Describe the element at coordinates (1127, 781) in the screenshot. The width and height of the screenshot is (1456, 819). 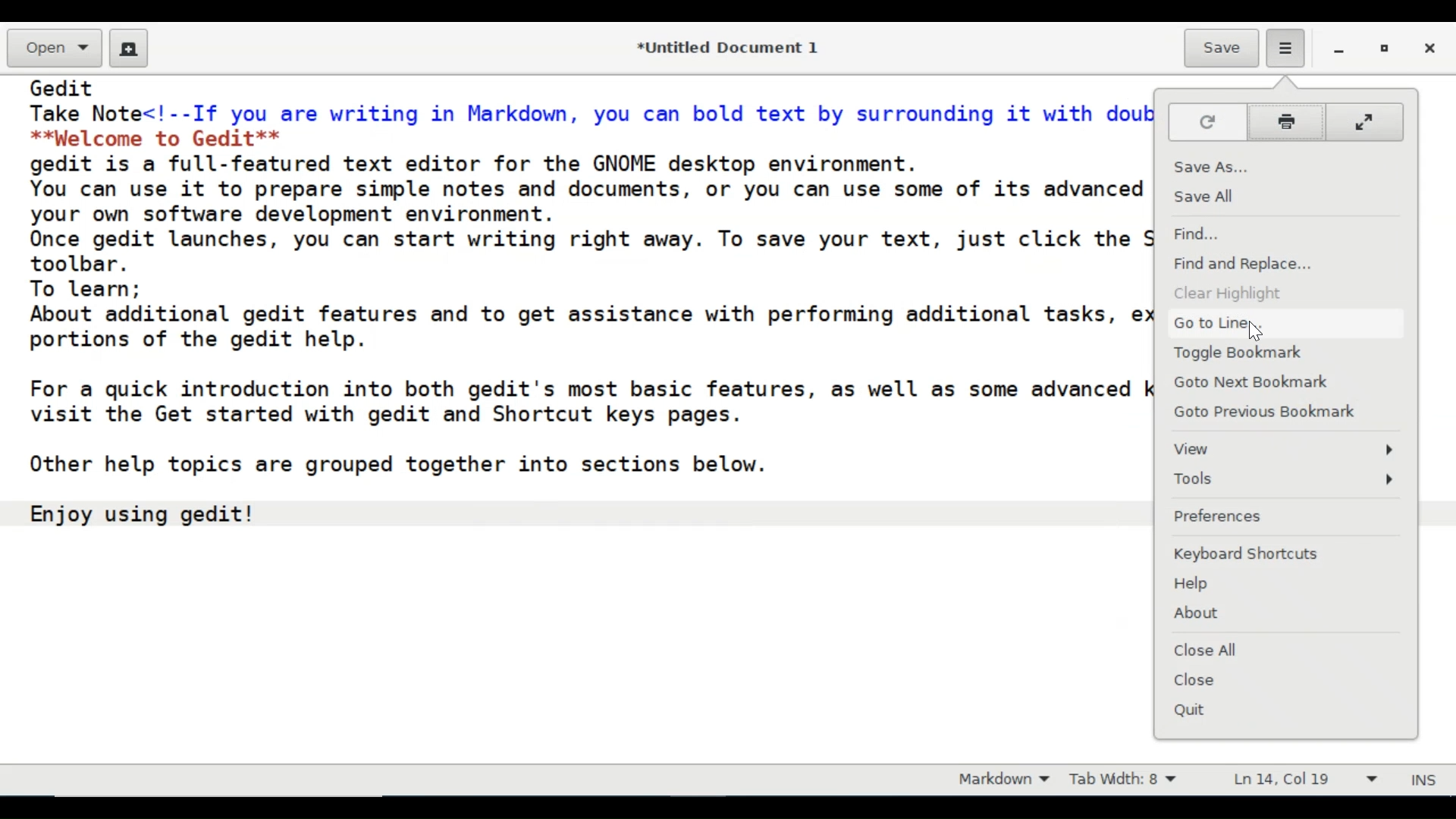
I see `Tab Width` at that location.